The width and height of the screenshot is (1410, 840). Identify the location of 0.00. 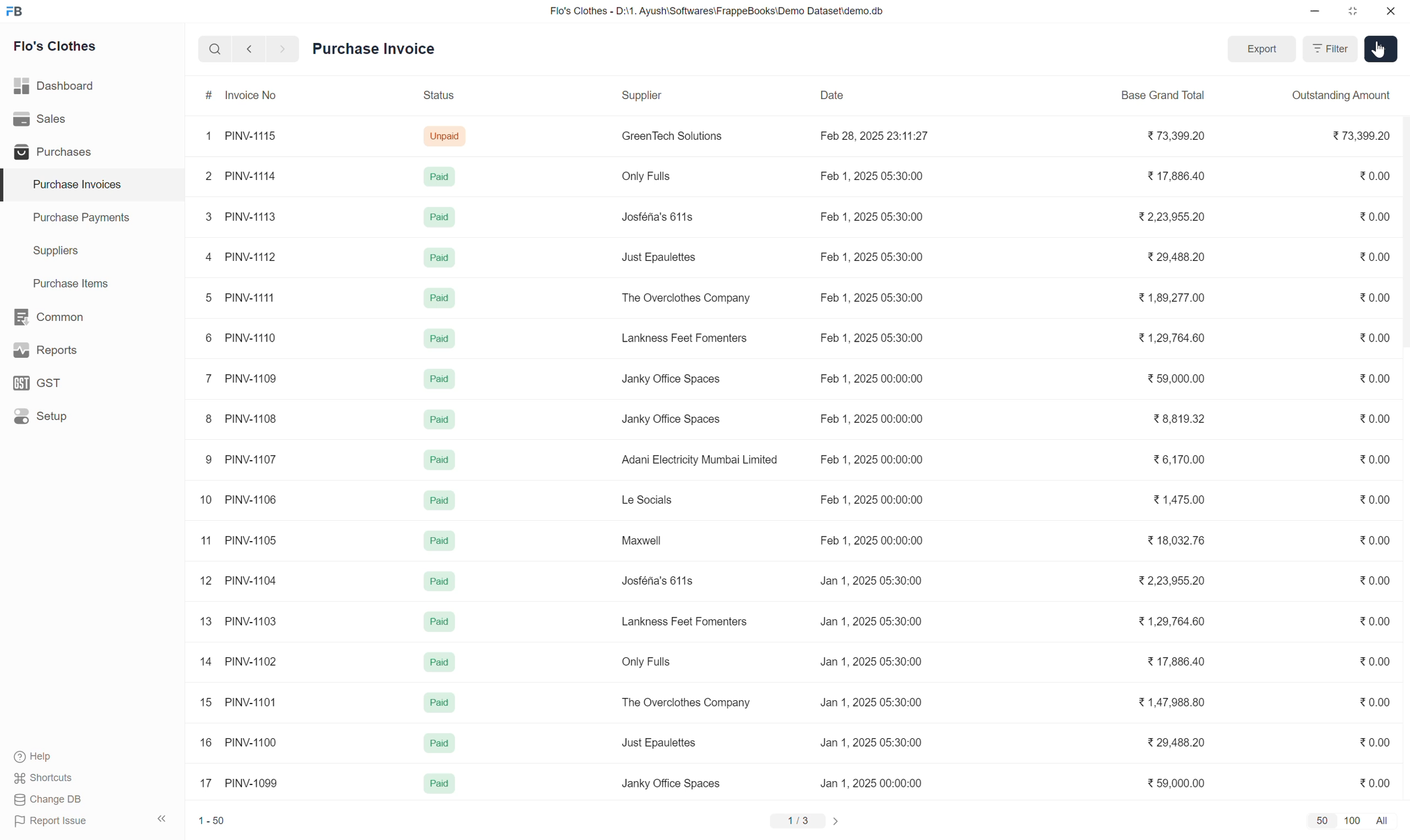
(1377, 620).